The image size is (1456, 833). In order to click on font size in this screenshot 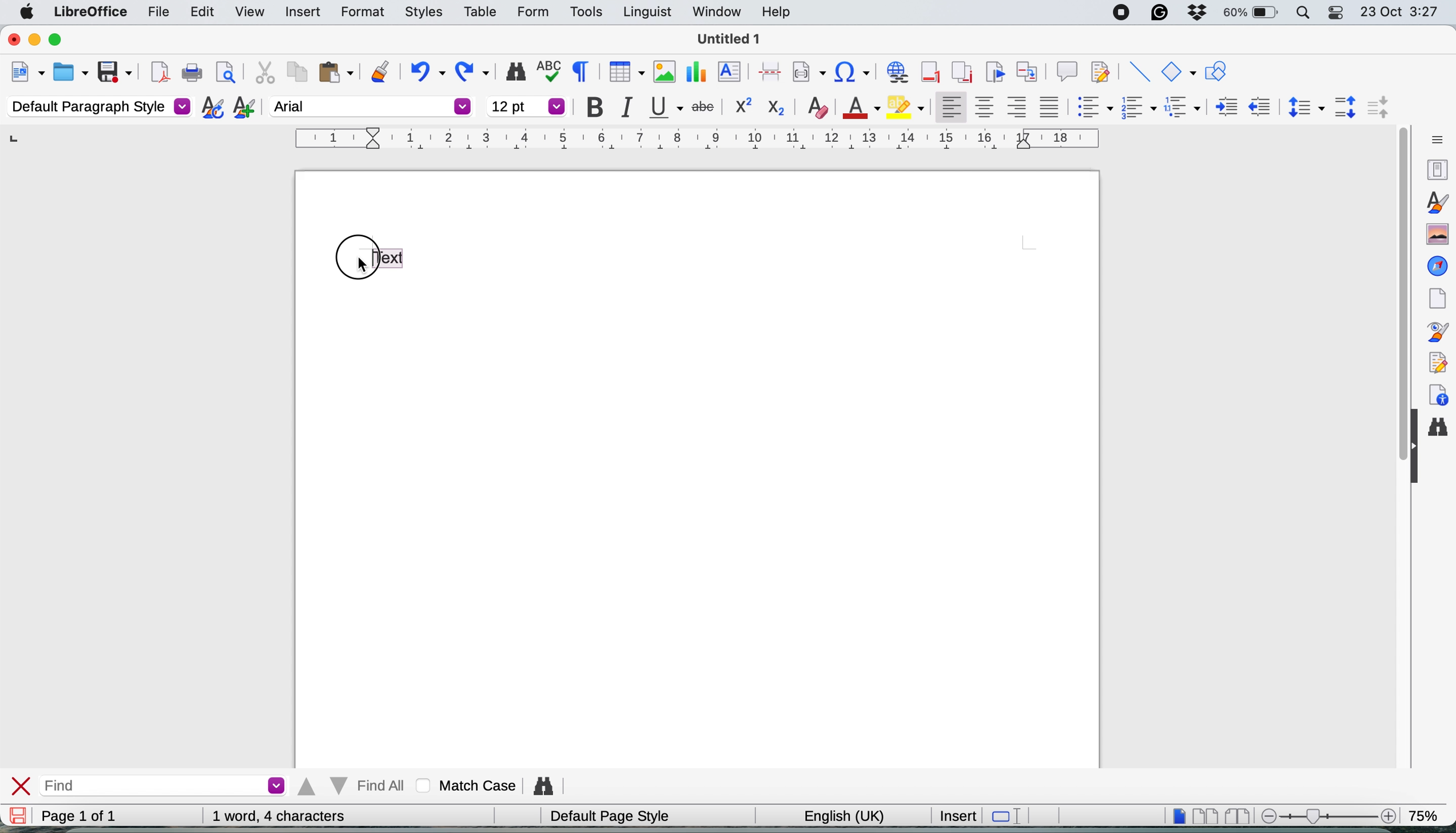, I will do `click(526, 106)`.